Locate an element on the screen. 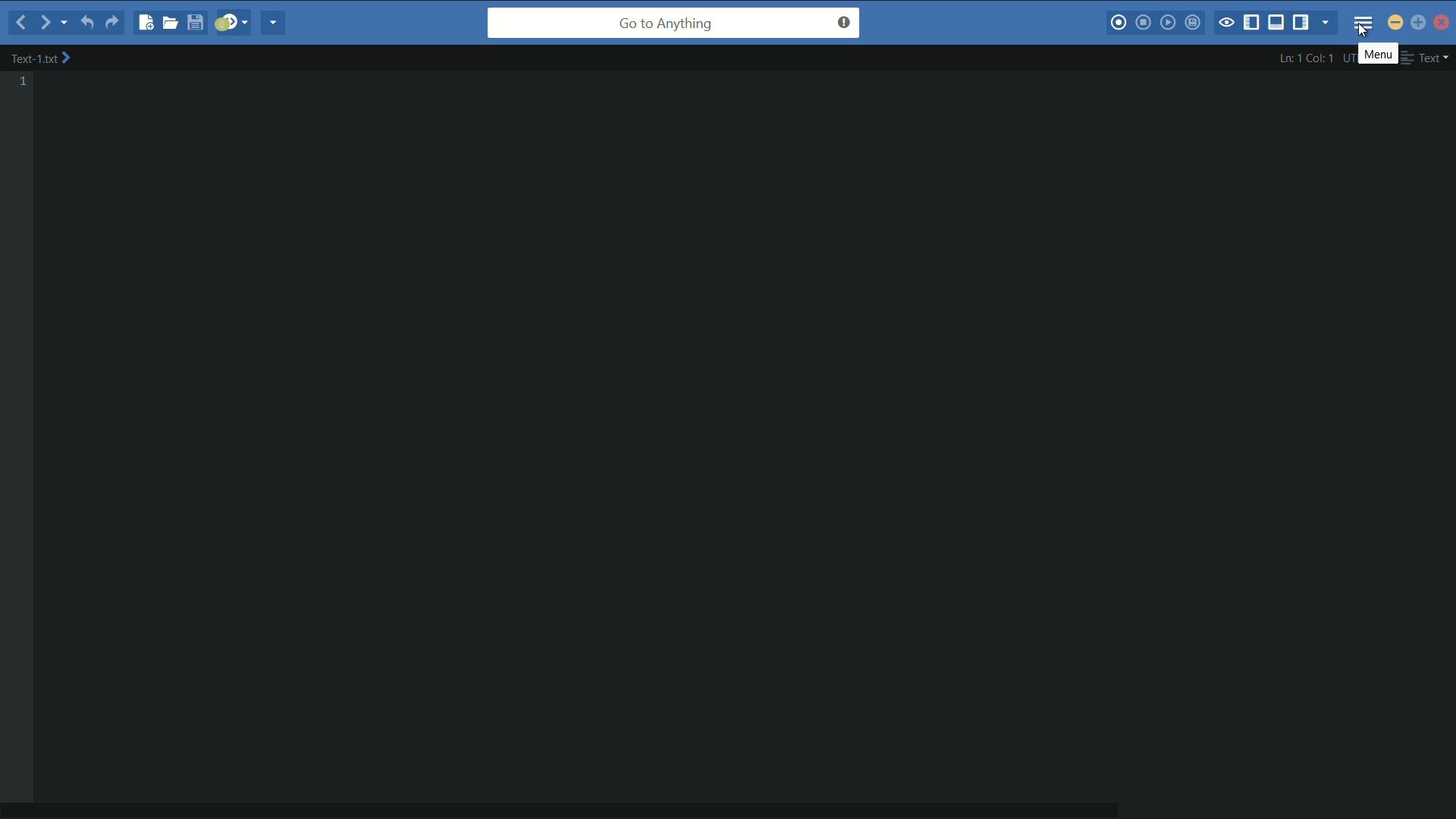 This screenshot has height=819, width=1456. cursor is located at coordinates (1367, 33).